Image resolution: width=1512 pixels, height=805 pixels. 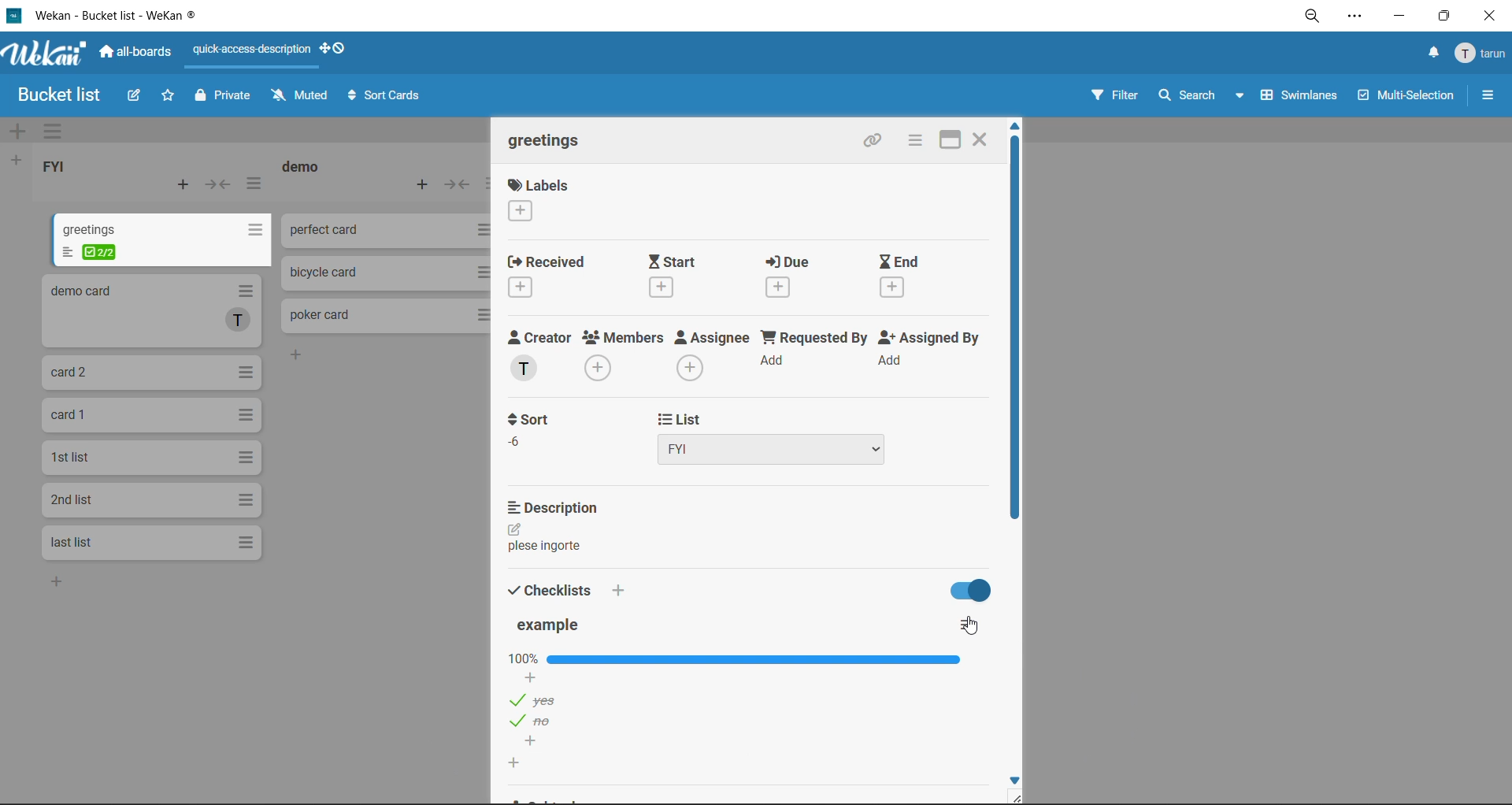 What do you see at coordinates (458, 185) in the screenshot?
I see `collapse` at bounding box center [458, 185].